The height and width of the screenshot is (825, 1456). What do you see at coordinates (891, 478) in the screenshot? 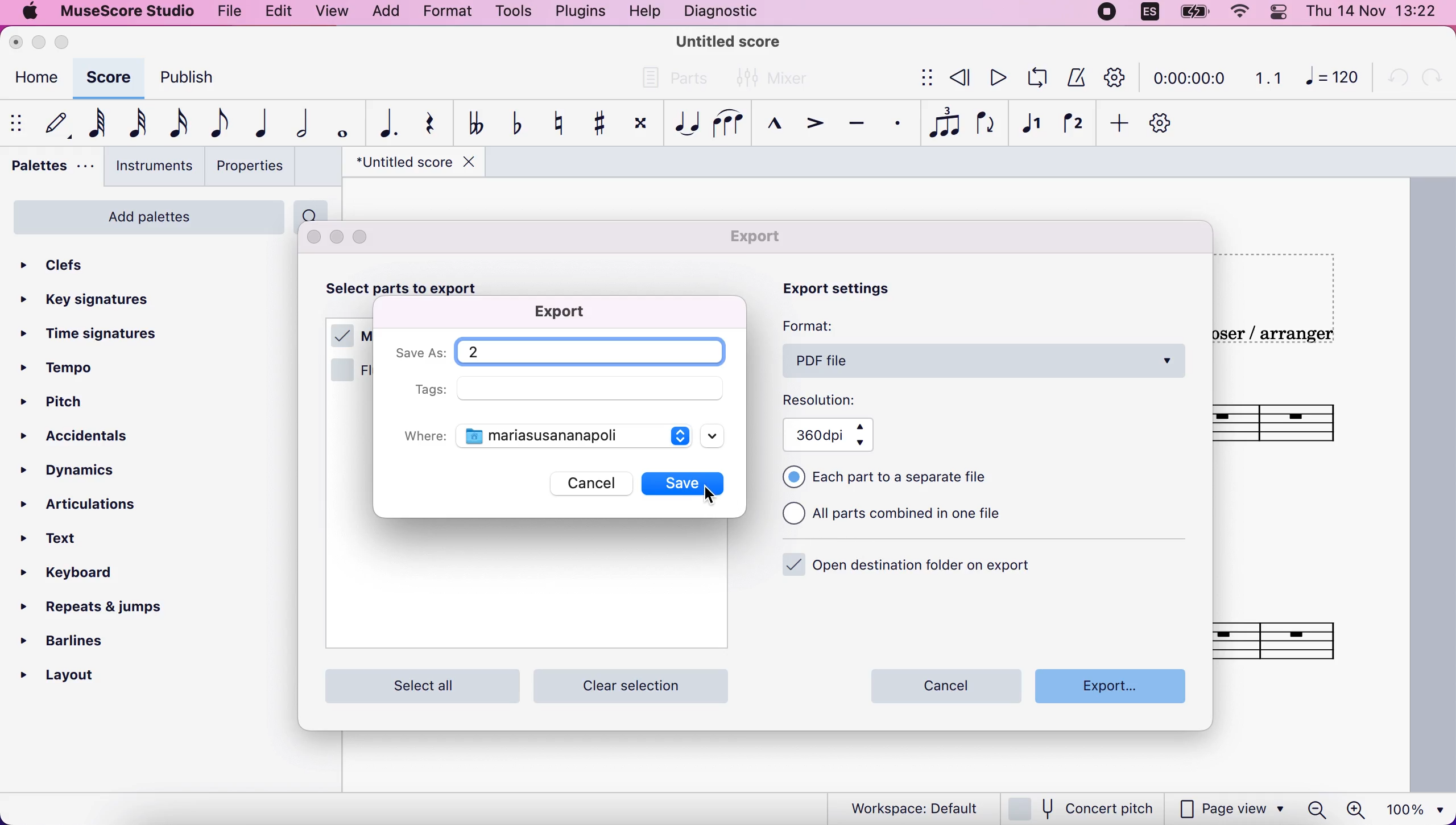
I see `each part to a separate file` at bounding box center [891, 478].